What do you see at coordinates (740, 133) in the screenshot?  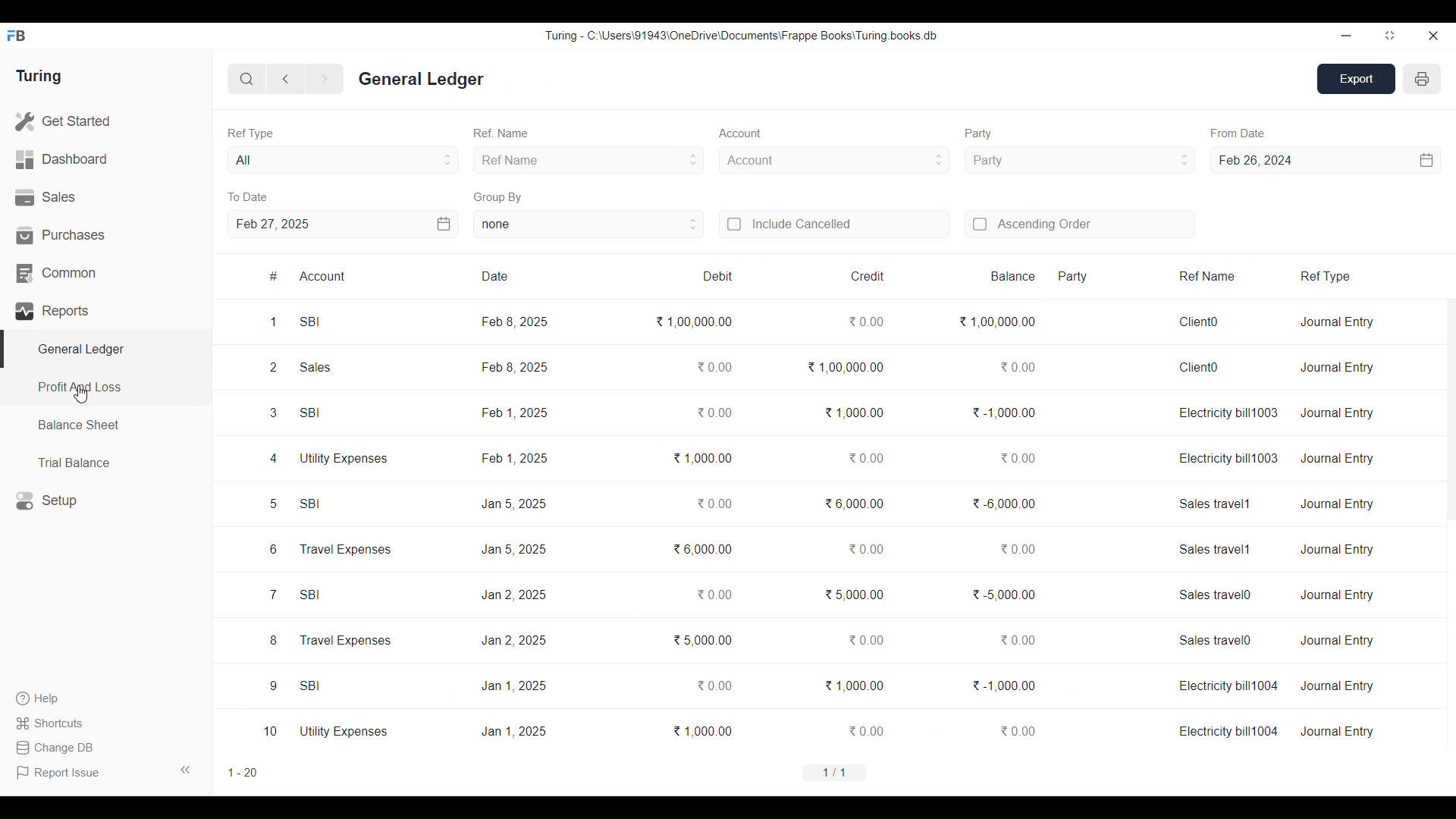 I see `Account` at bounding box center [740, 133].